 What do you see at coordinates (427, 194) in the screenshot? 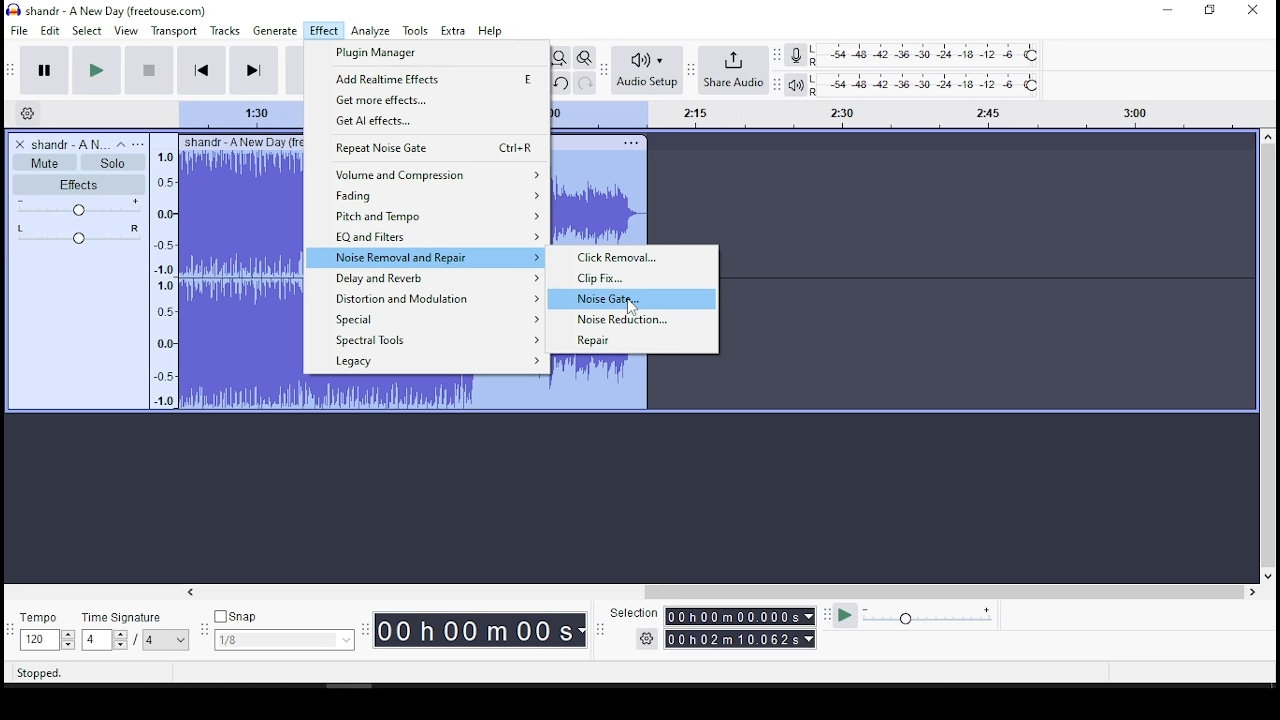
I see `fading` at bounding box center [427, 194].